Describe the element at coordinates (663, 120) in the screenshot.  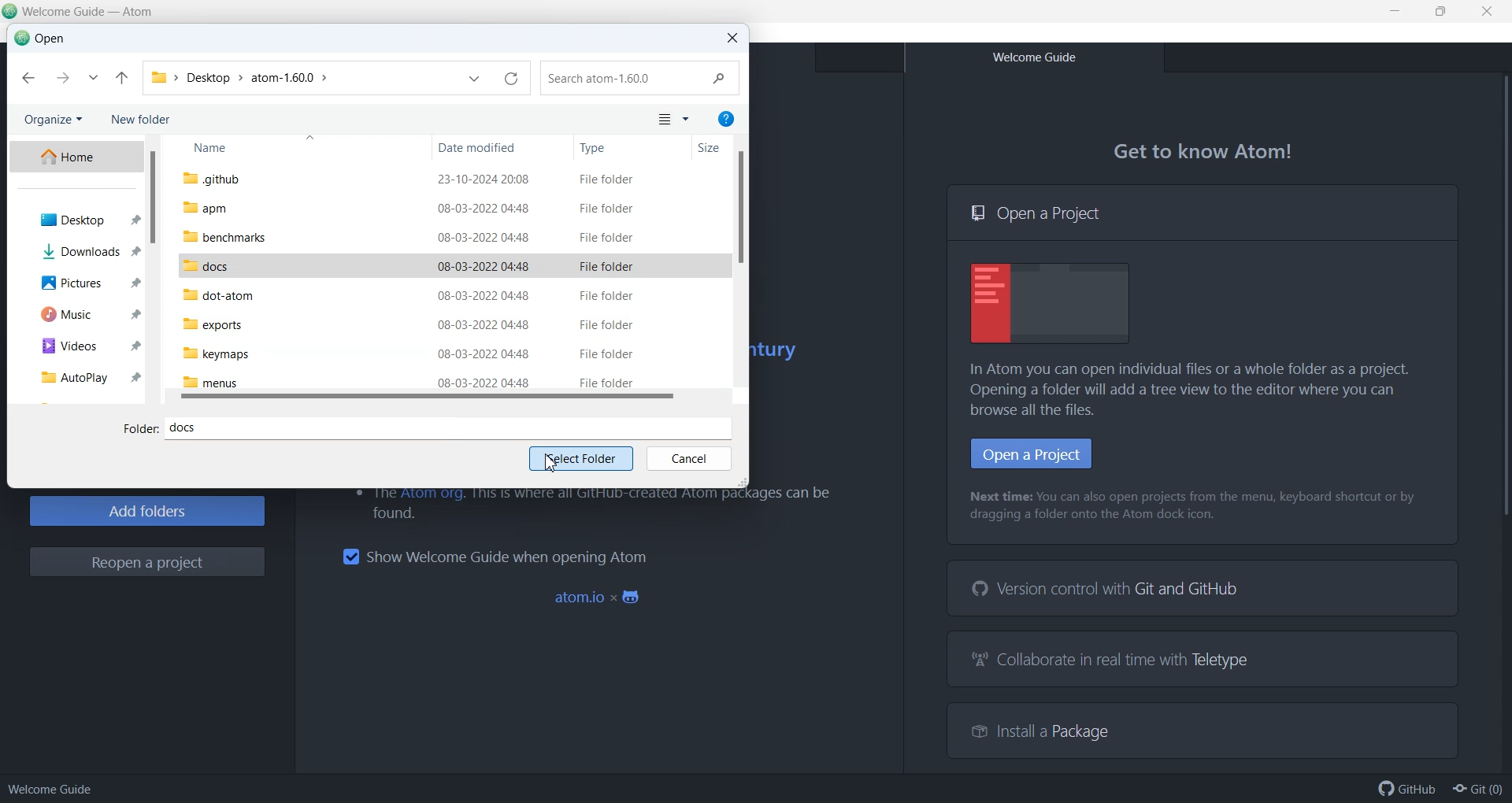
I see `Change your view` at that location.